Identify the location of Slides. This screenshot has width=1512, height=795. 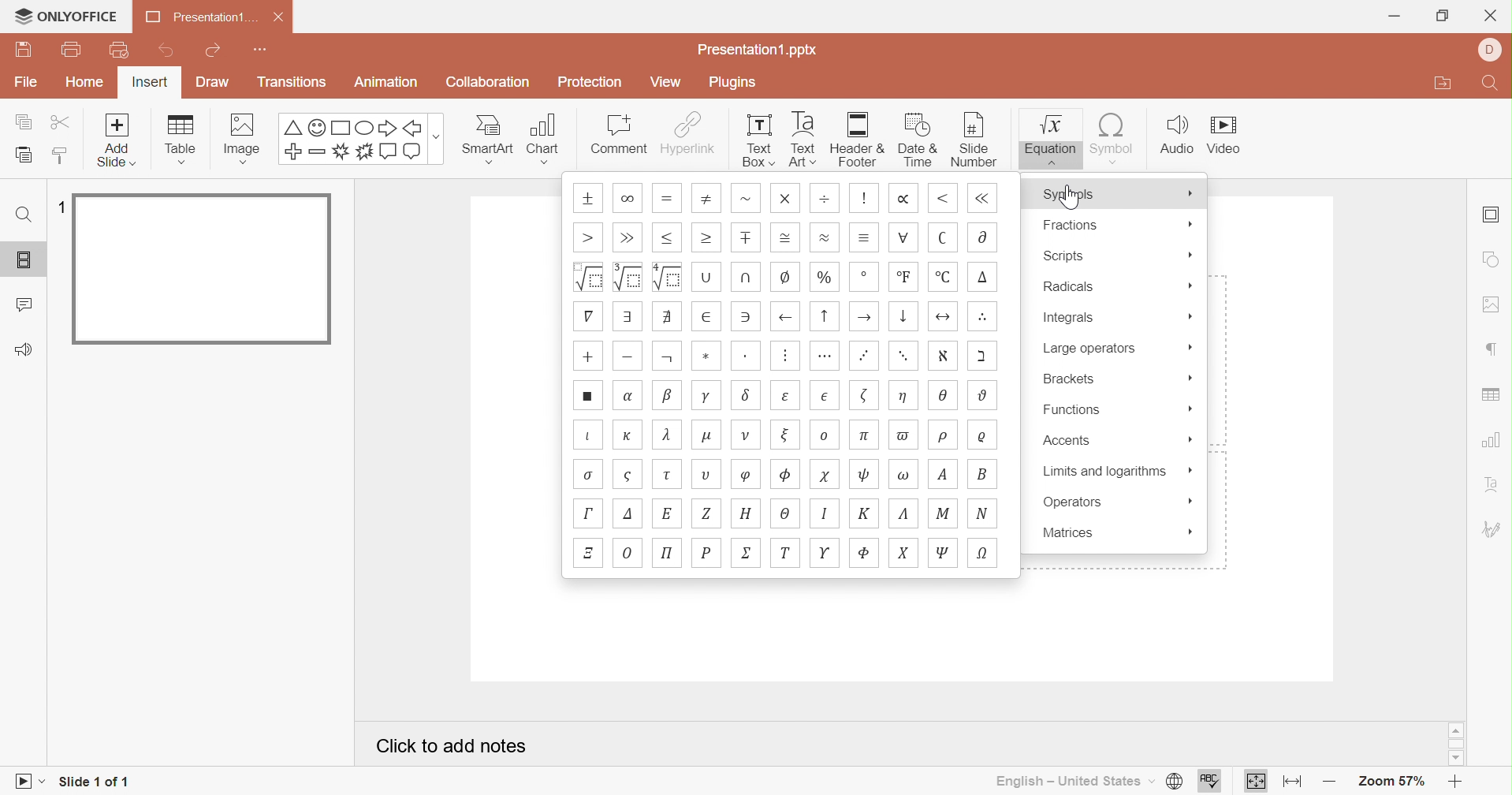
(24, 259).